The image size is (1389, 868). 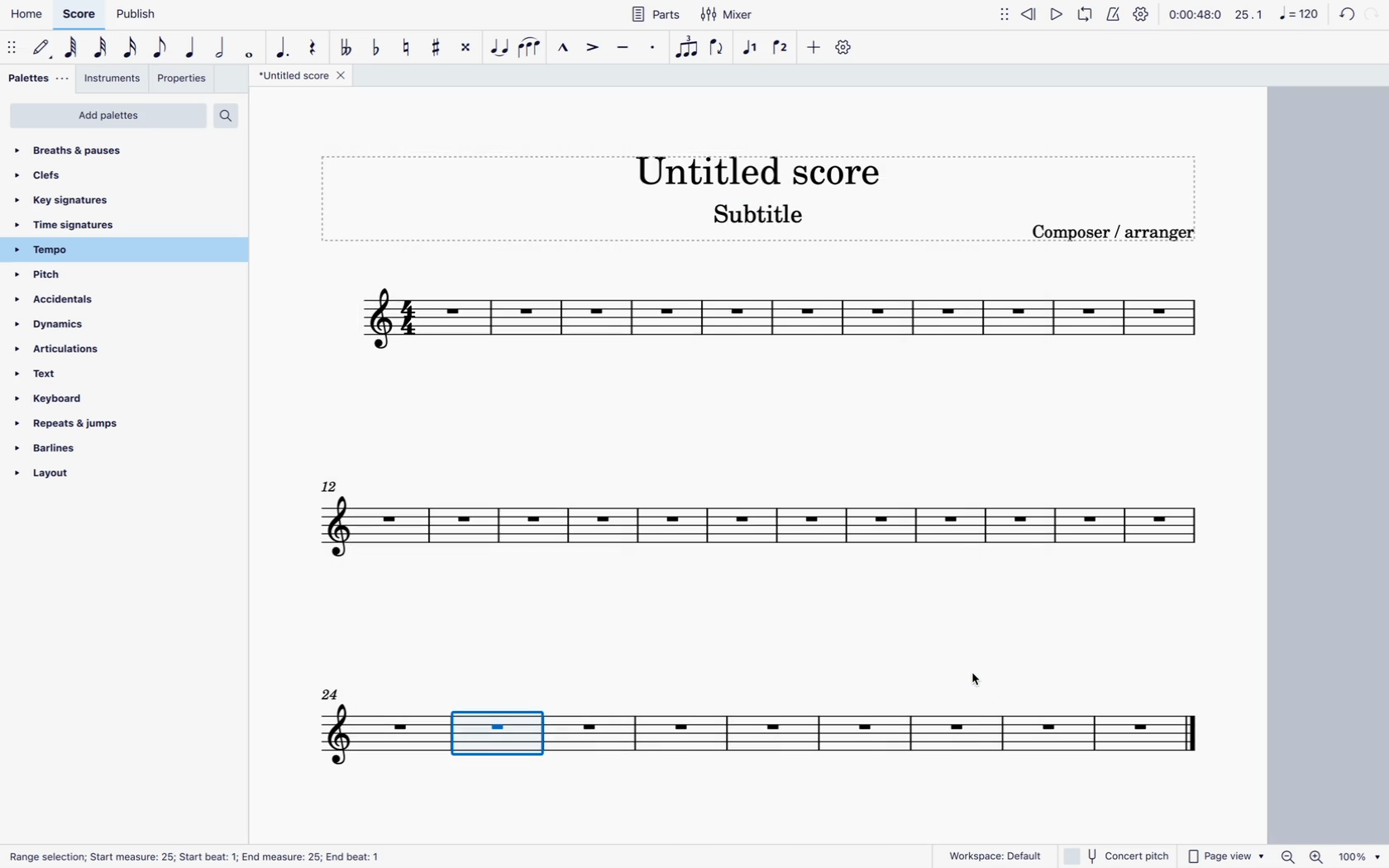 What do you see at coordinates (1119, 856) in the screenshot?
I see `concert pitch` at bounding box center [1119, 856].